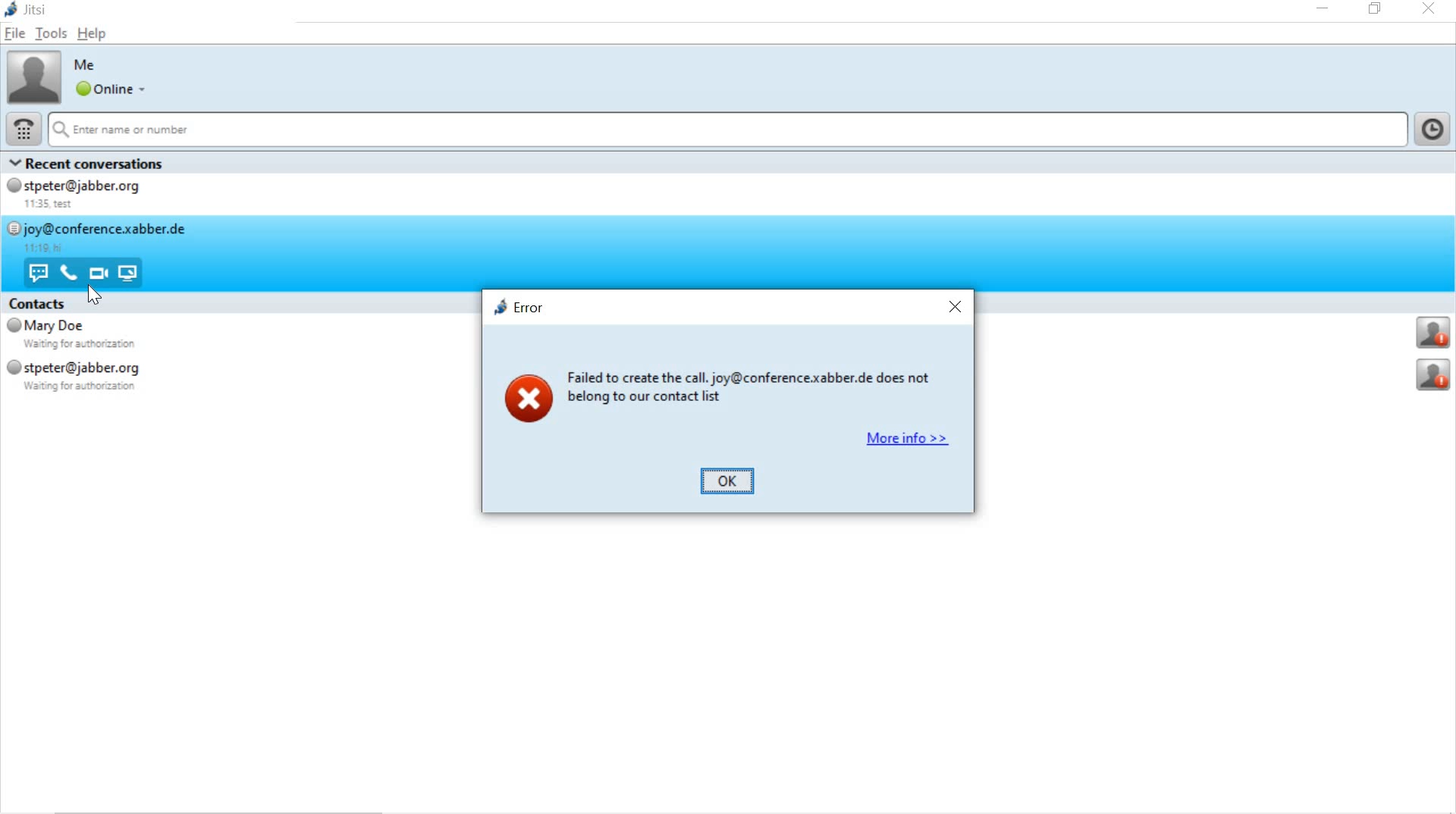  I want to click on error, so click(518, 309).